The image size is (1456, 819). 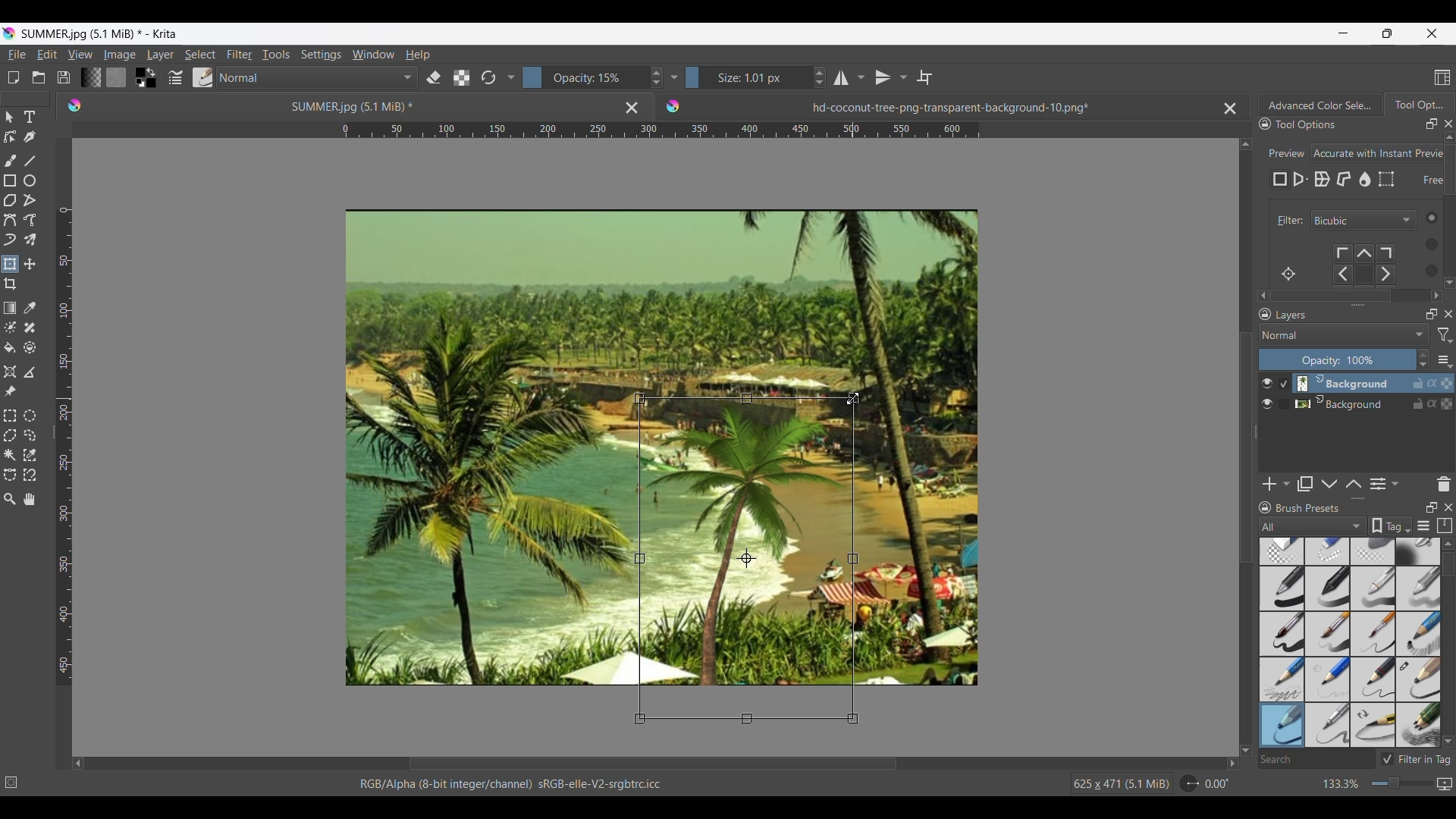 I want to click on Vertical flip options, so click(x=902, y=77).